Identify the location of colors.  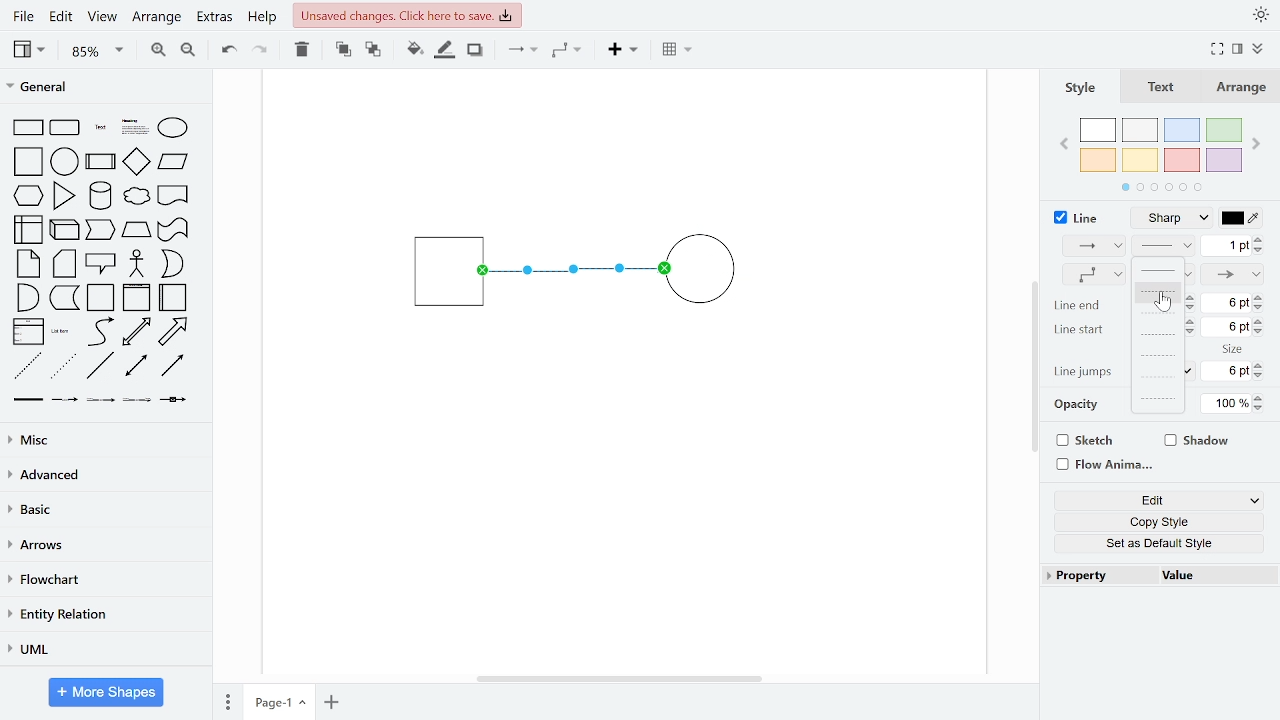
(1162, 151).